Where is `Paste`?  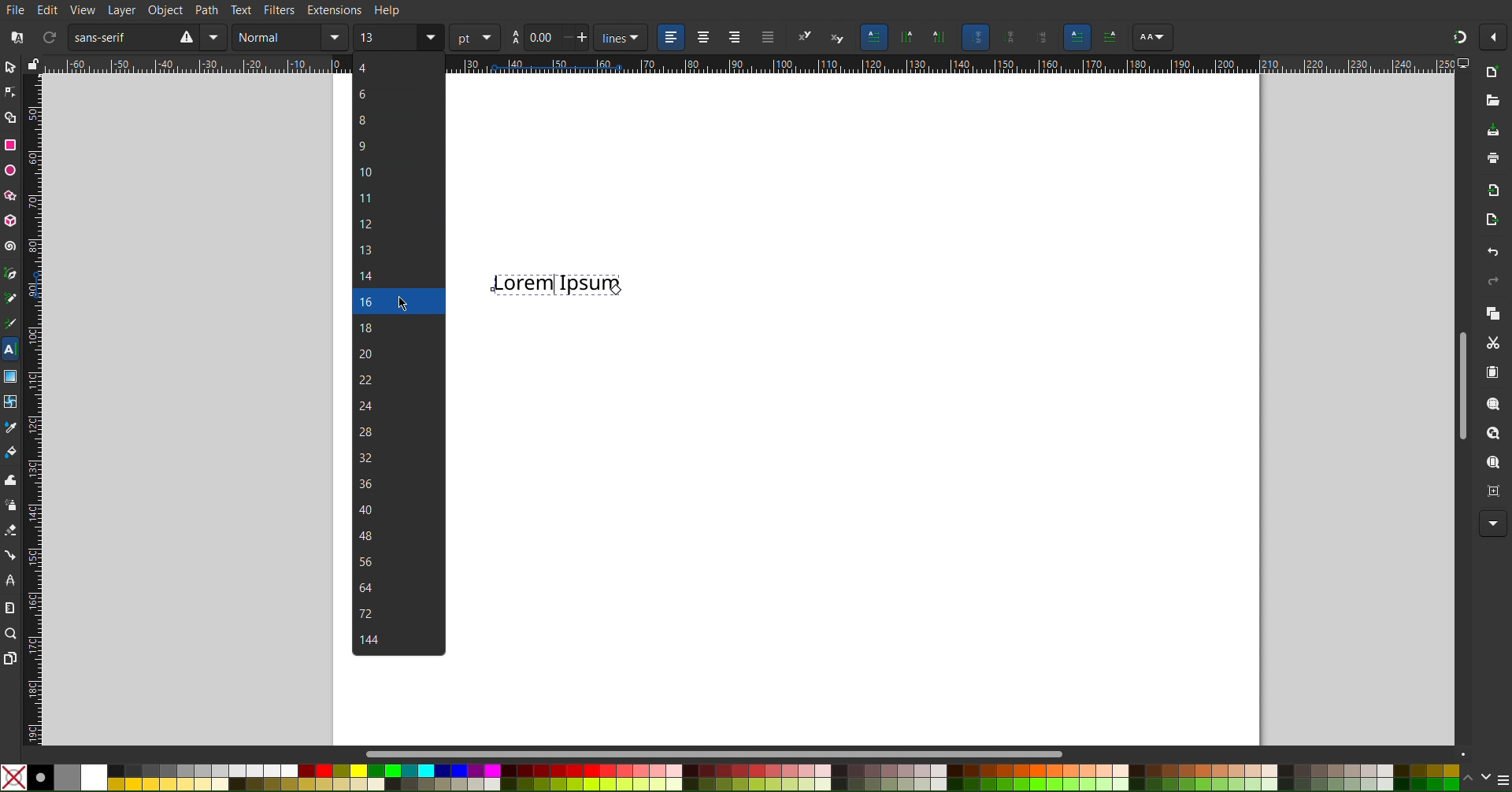
Paste is located at coordinates (1492, 371).